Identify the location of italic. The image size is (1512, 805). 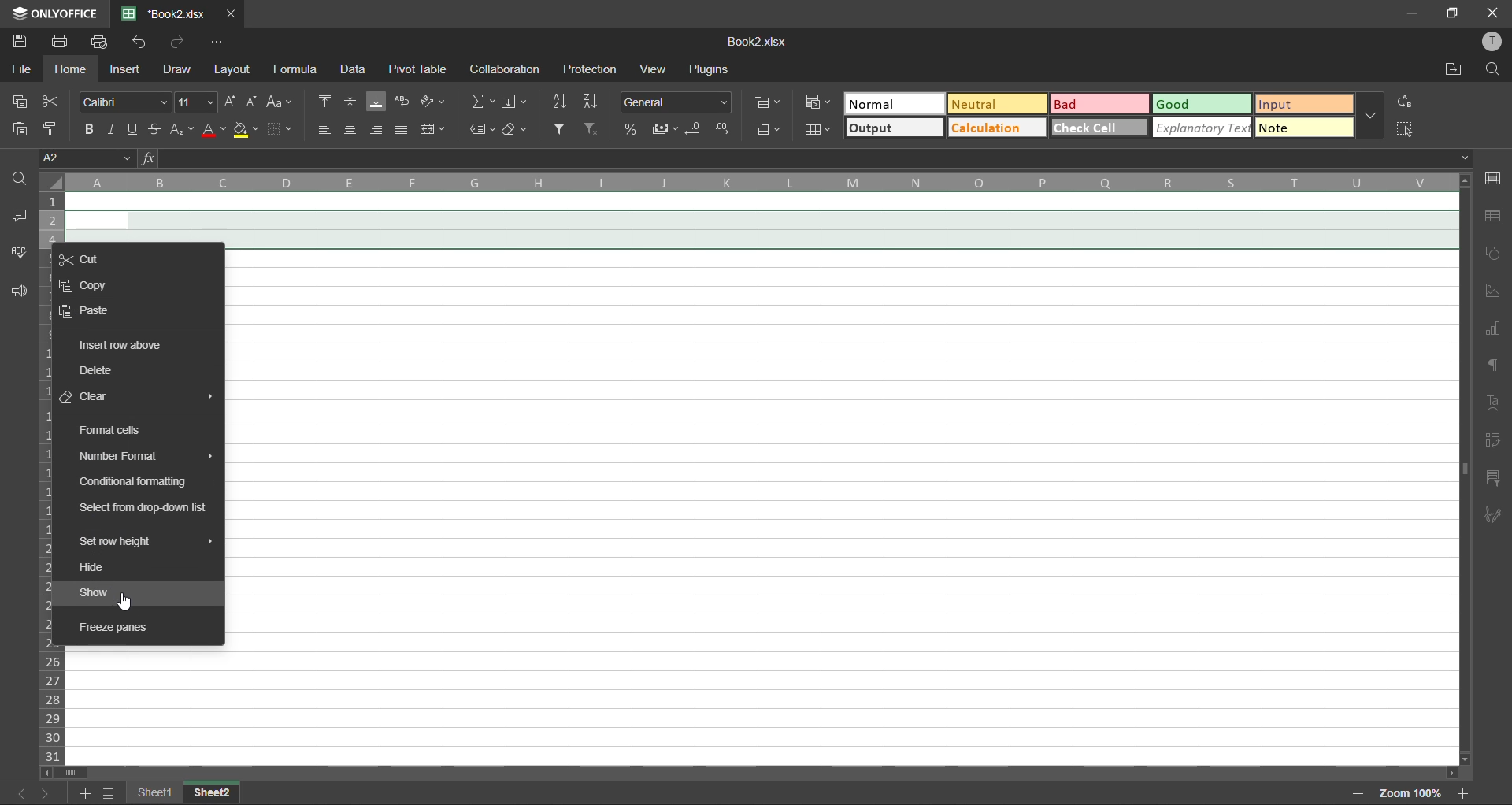
(112, 127).